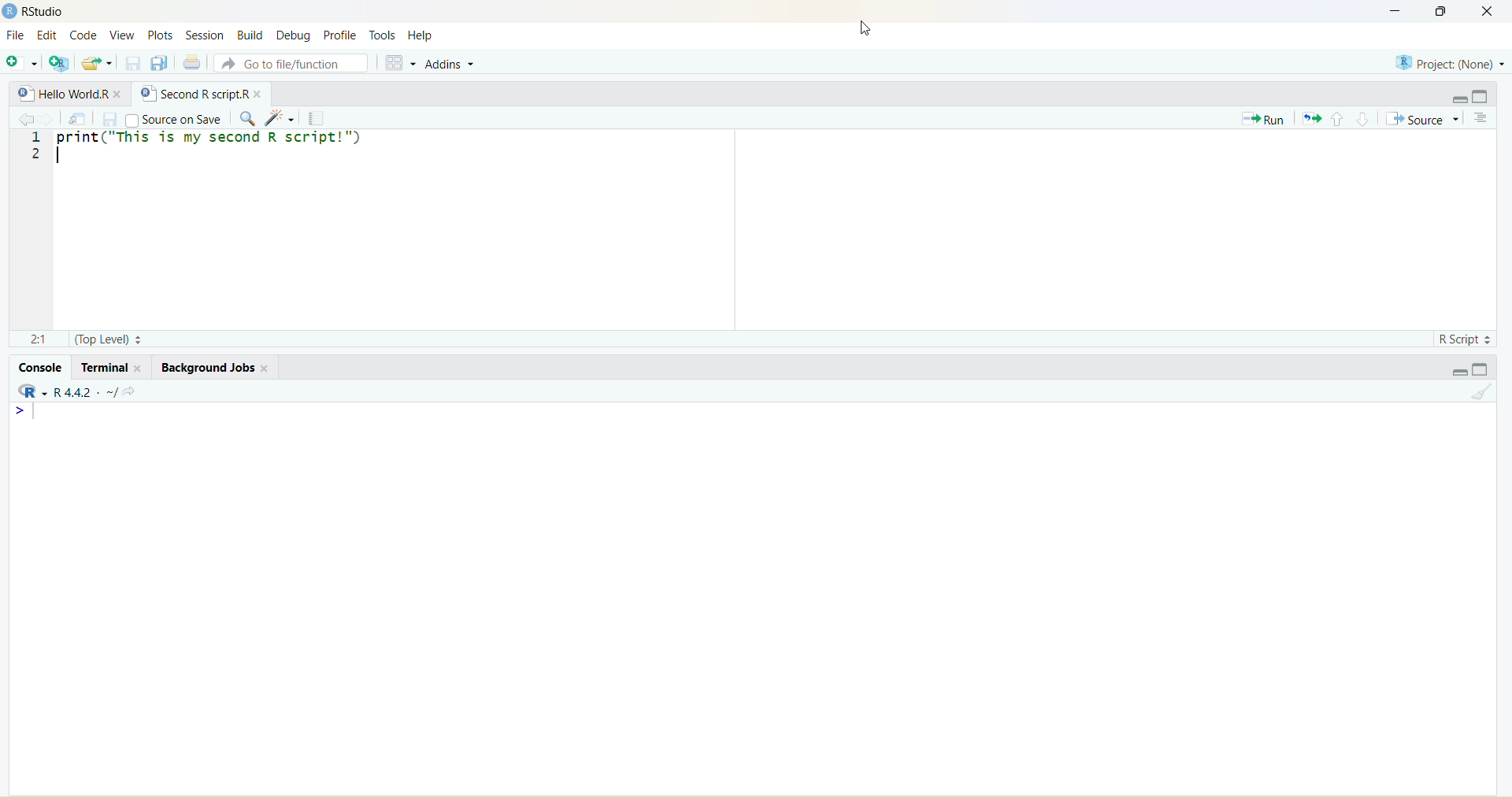 The height and width of the screenshot is (797, 1512). What do you see at coordinates (1477, 396) in the screenshot?
I see `Clear console (Ctrl + L)` at bounding box center [1477, 396].